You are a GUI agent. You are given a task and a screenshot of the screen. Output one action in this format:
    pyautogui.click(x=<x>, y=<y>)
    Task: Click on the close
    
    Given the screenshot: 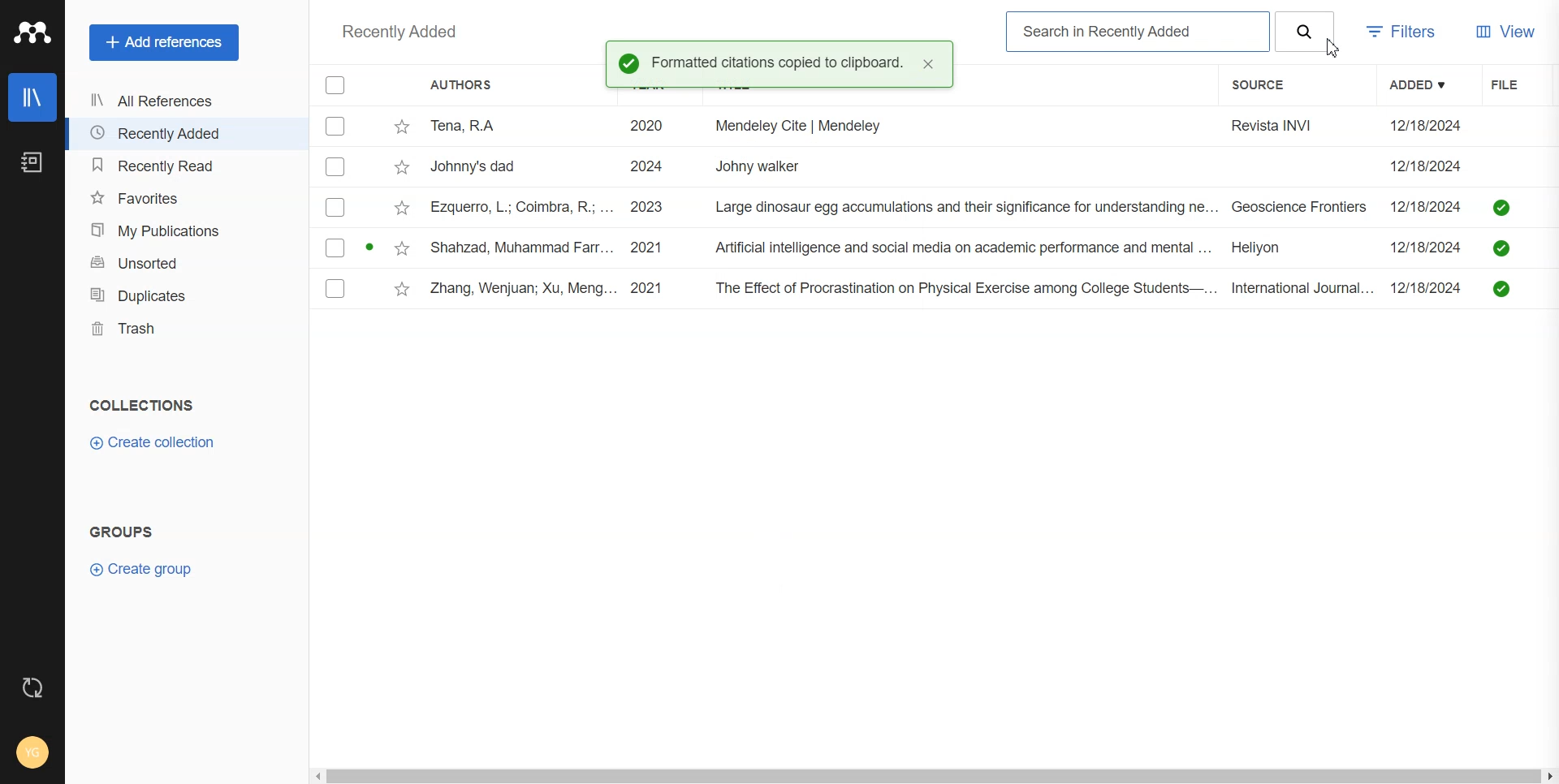 What is the action you would take?
    pyautogui.click(x=930, y=65)
    